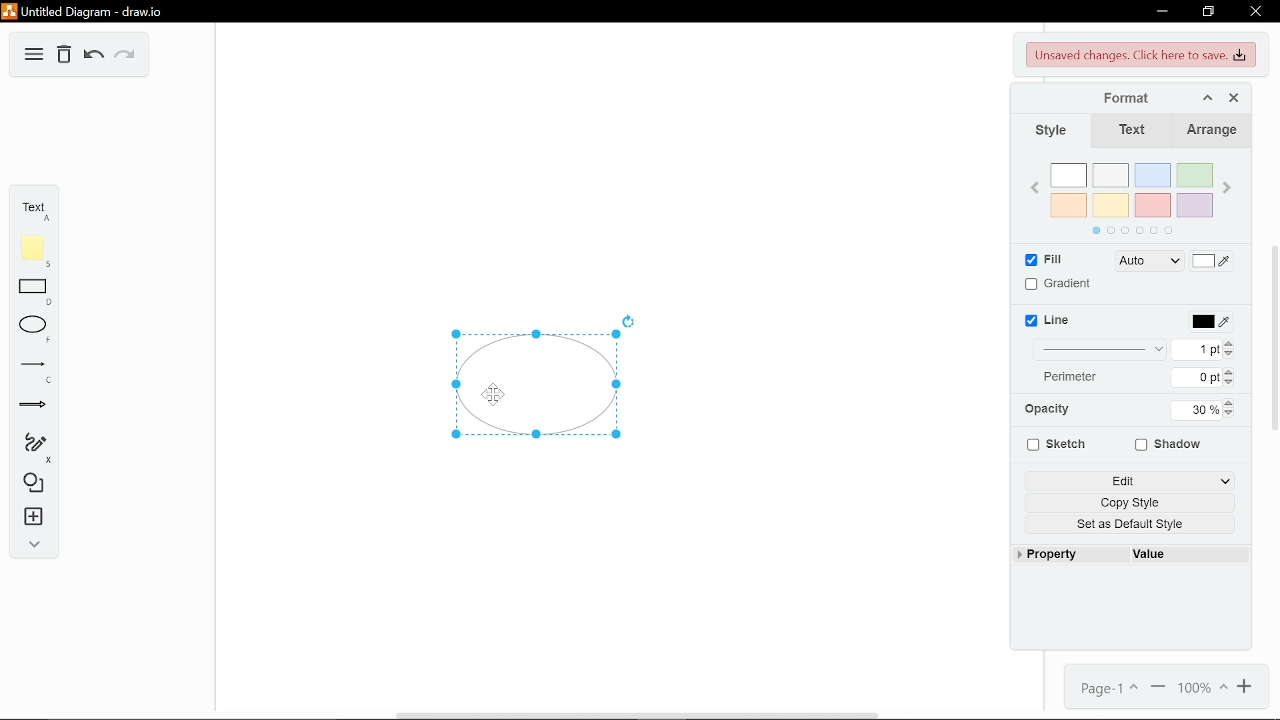 This screenshot has width=1280, height=720. Describe the element at coordinates (1187, 555) in the screenshot. I see `value` at that location.